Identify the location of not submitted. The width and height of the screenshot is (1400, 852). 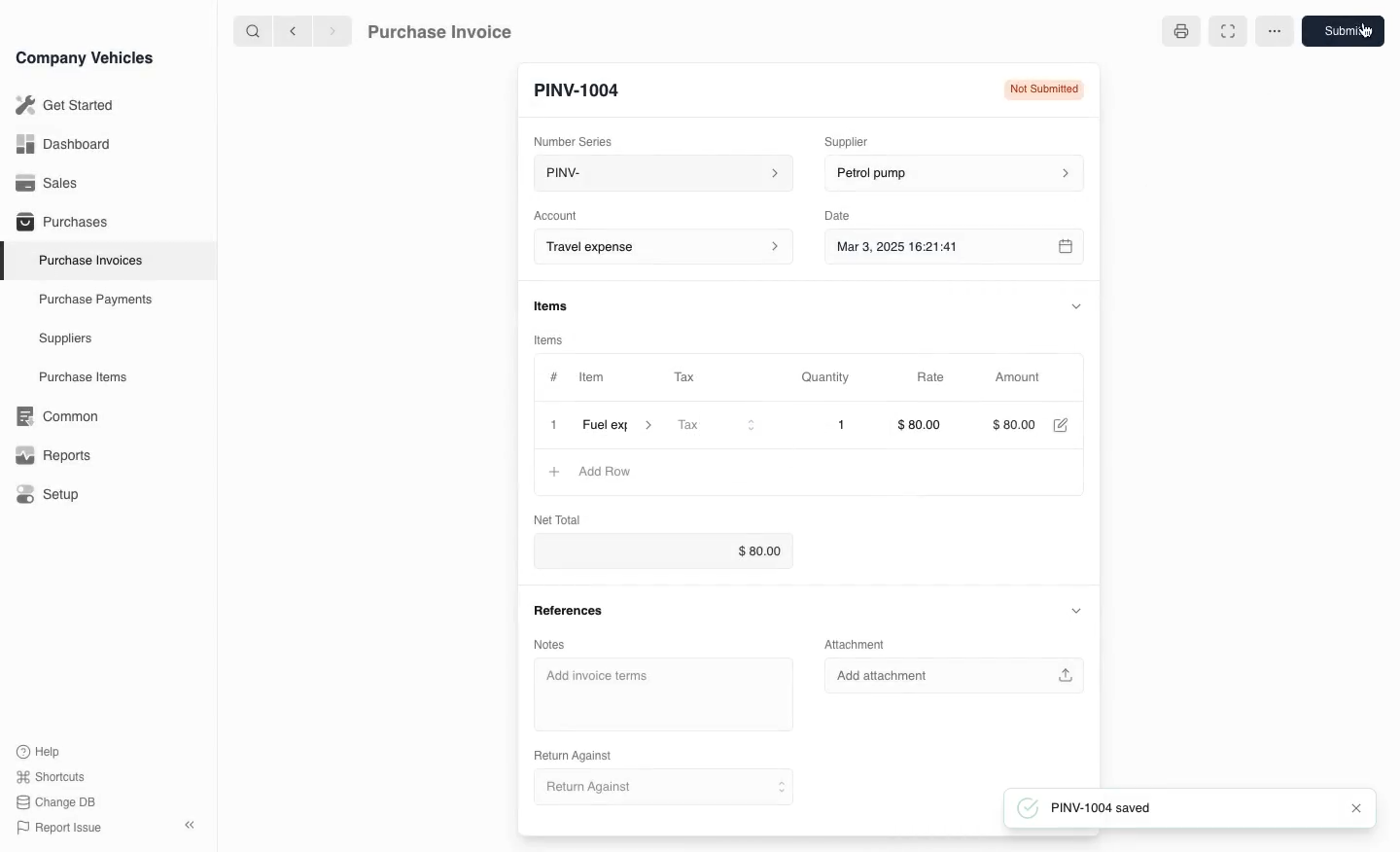
(1040, 91).